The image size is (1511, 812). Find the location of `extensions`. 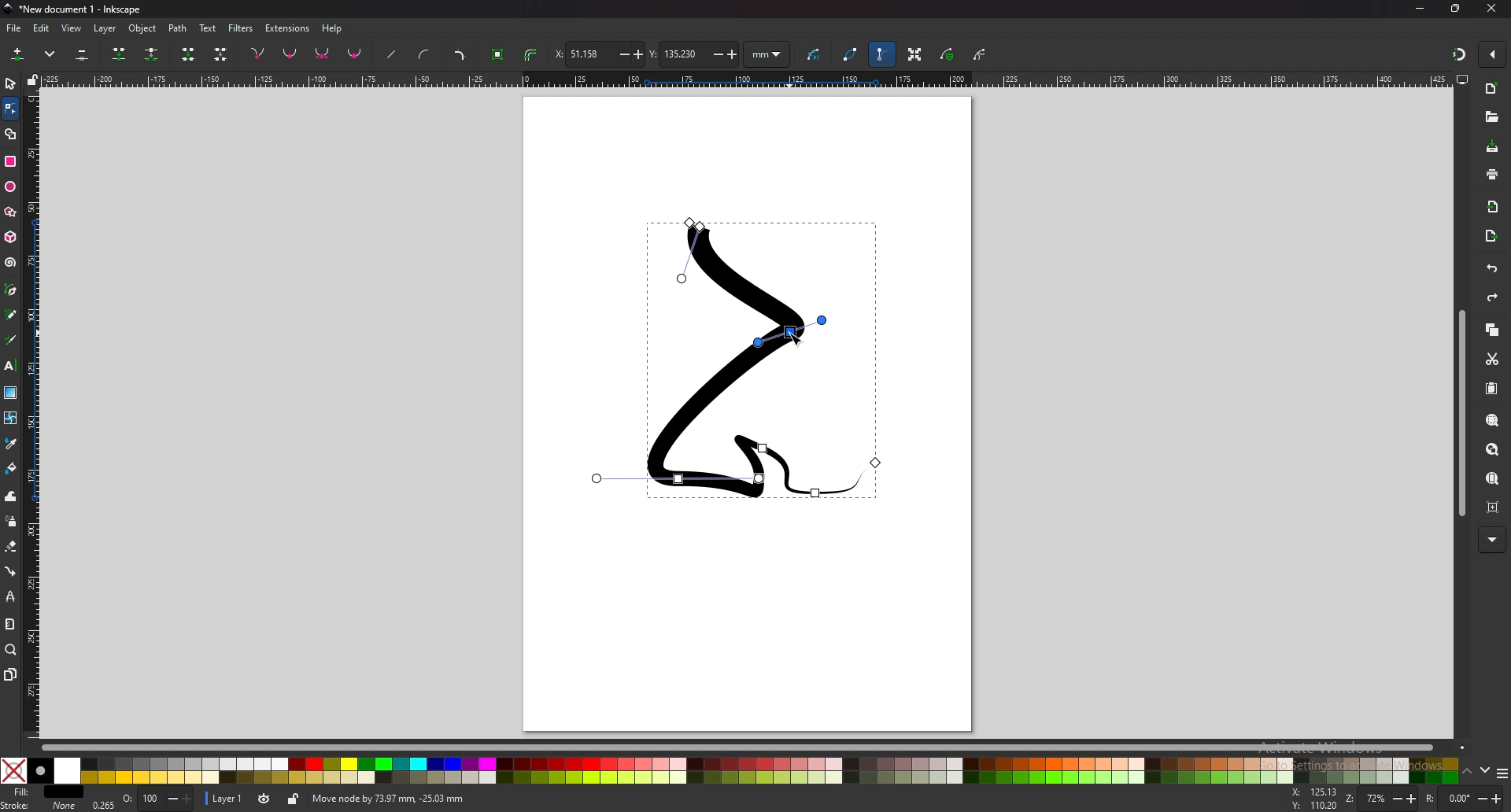

extensions is located at coordinates (288, 27).